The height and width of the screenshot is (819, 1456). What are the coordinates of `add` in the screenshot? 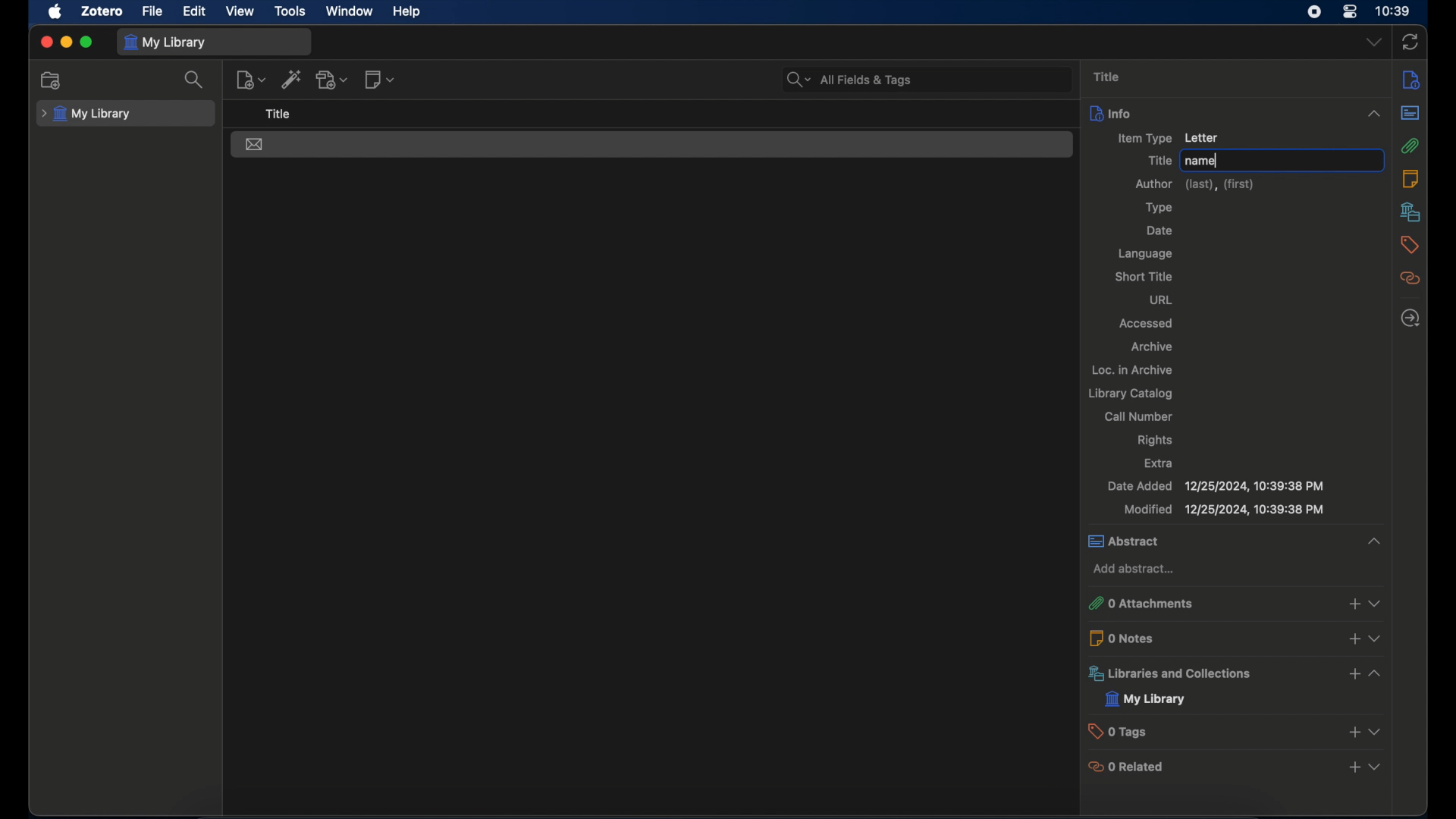 It's located at (1354, 604).